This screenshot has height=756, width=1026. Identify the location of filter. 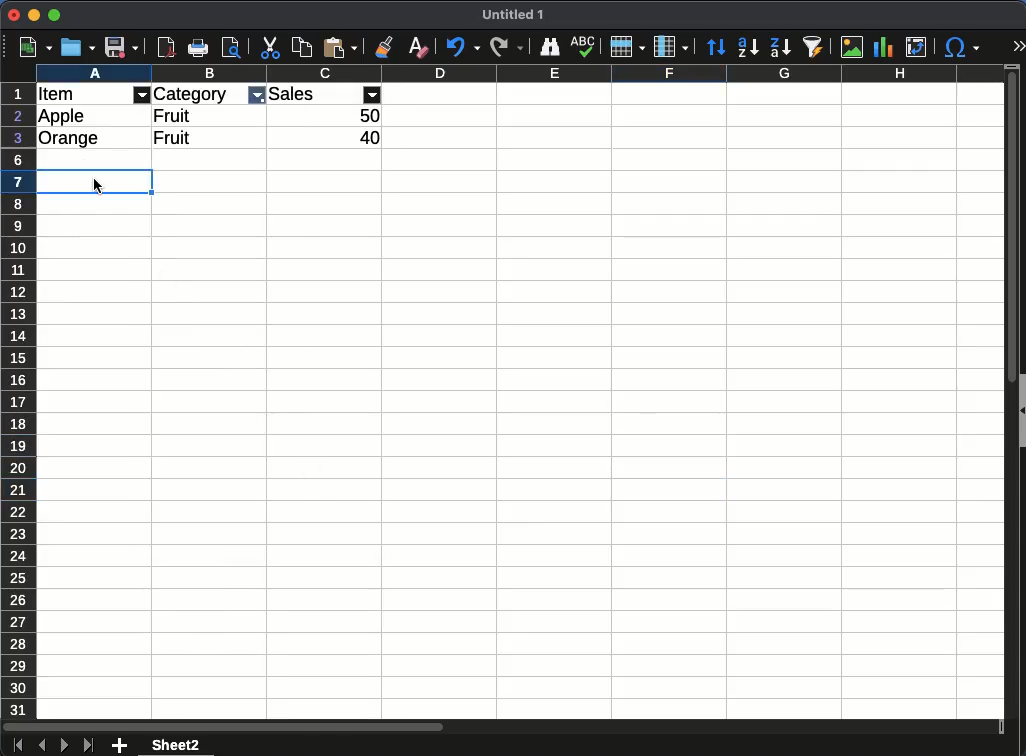
(142, 95).